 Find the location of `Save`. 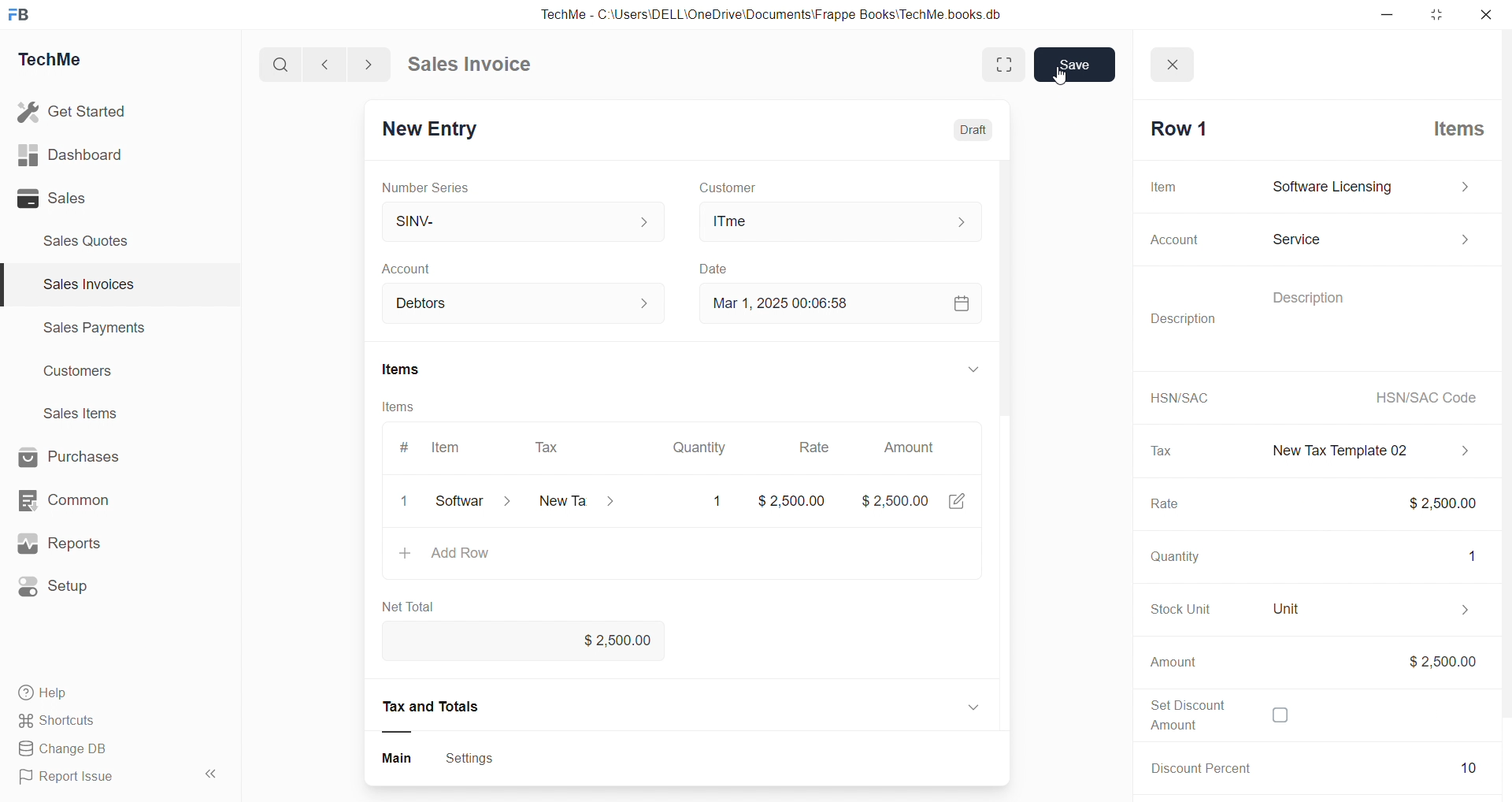

Save is located at coordinates (1075, 65).